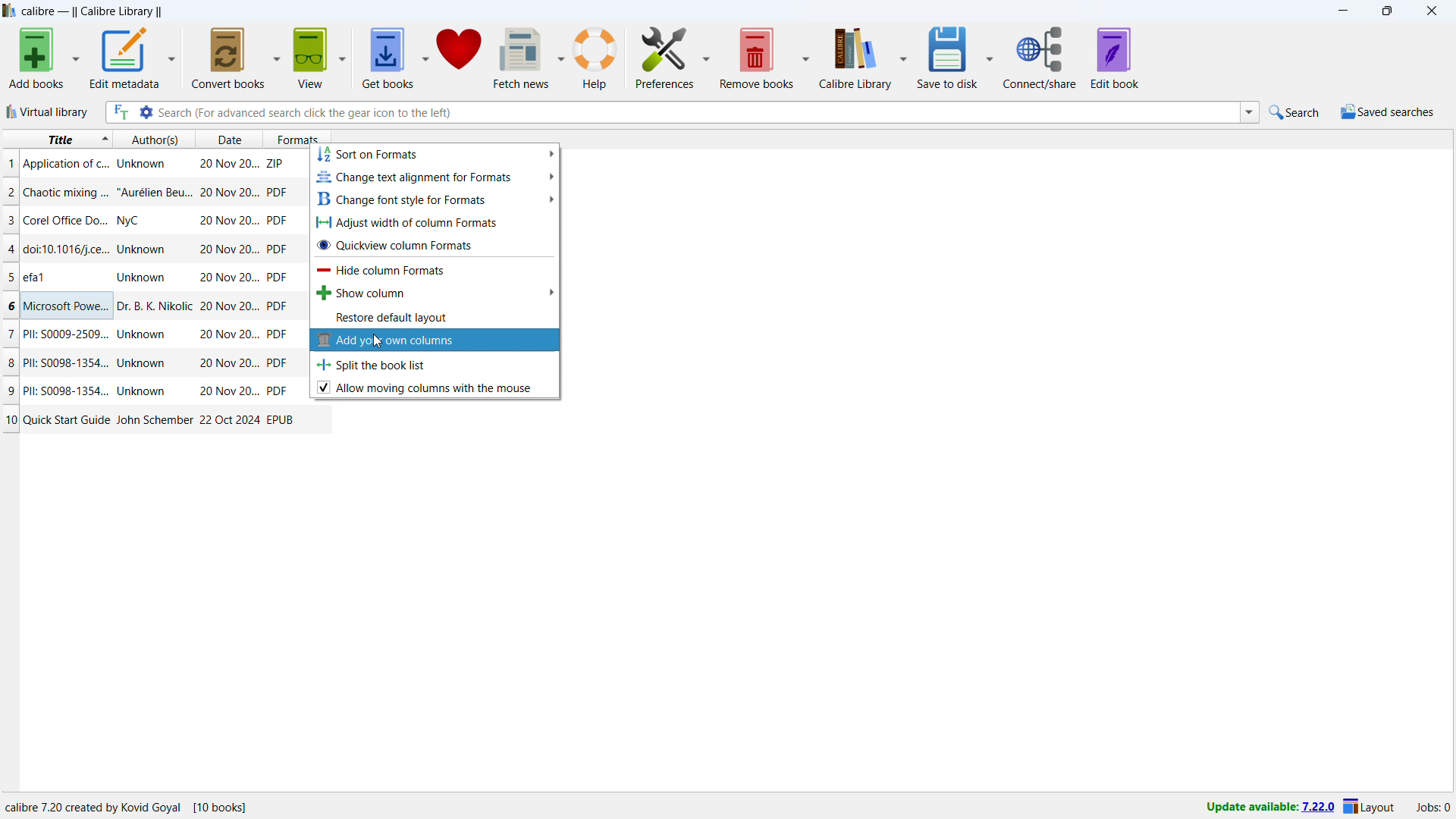 This screenshot has height=819, width=1456. Describe the element at coordinates (275, 162) in the screenshot. I see `ZIP` at that location.